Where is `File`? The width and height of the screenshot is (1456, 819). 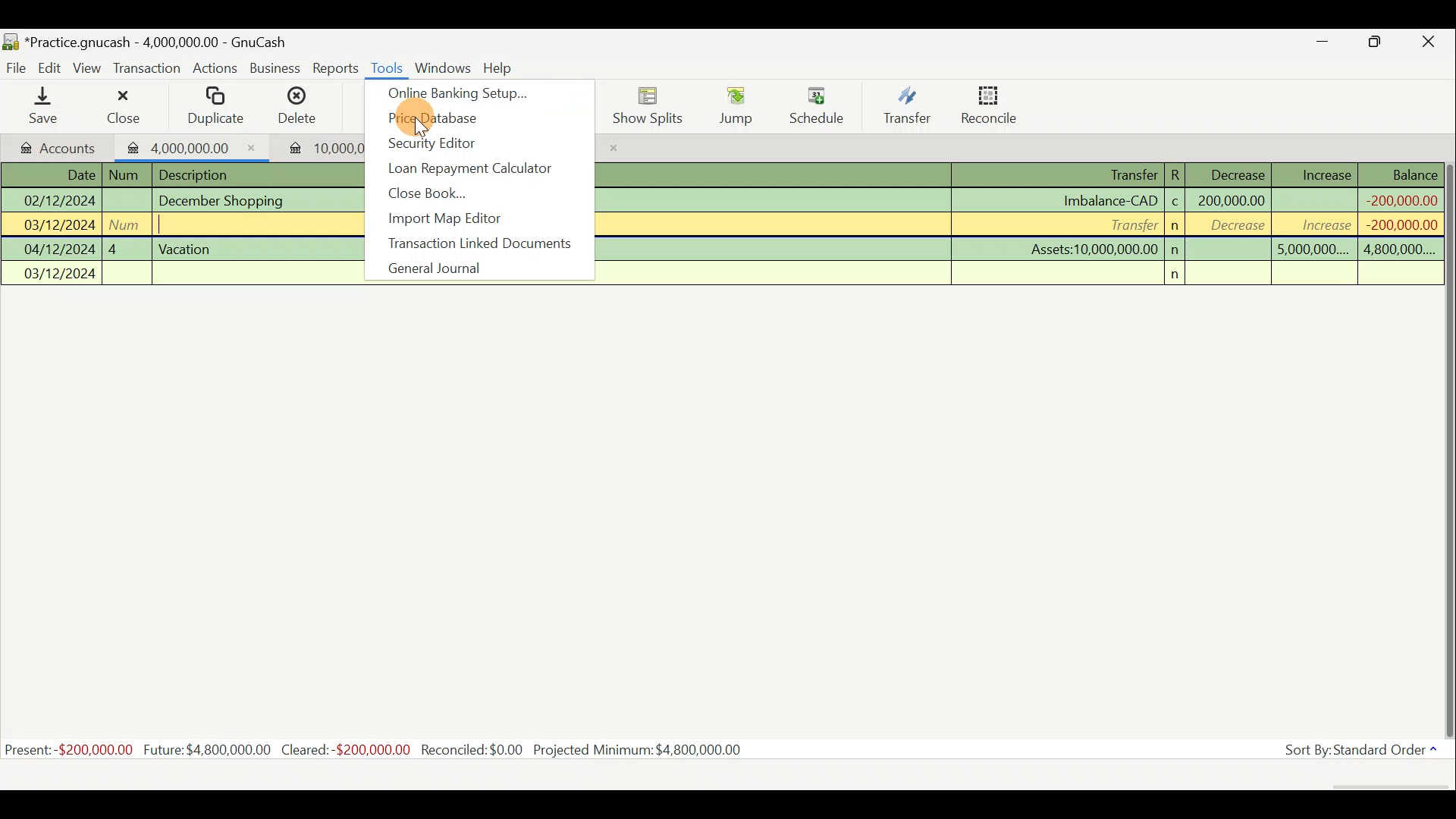
File is located at coordinates (17, 65).